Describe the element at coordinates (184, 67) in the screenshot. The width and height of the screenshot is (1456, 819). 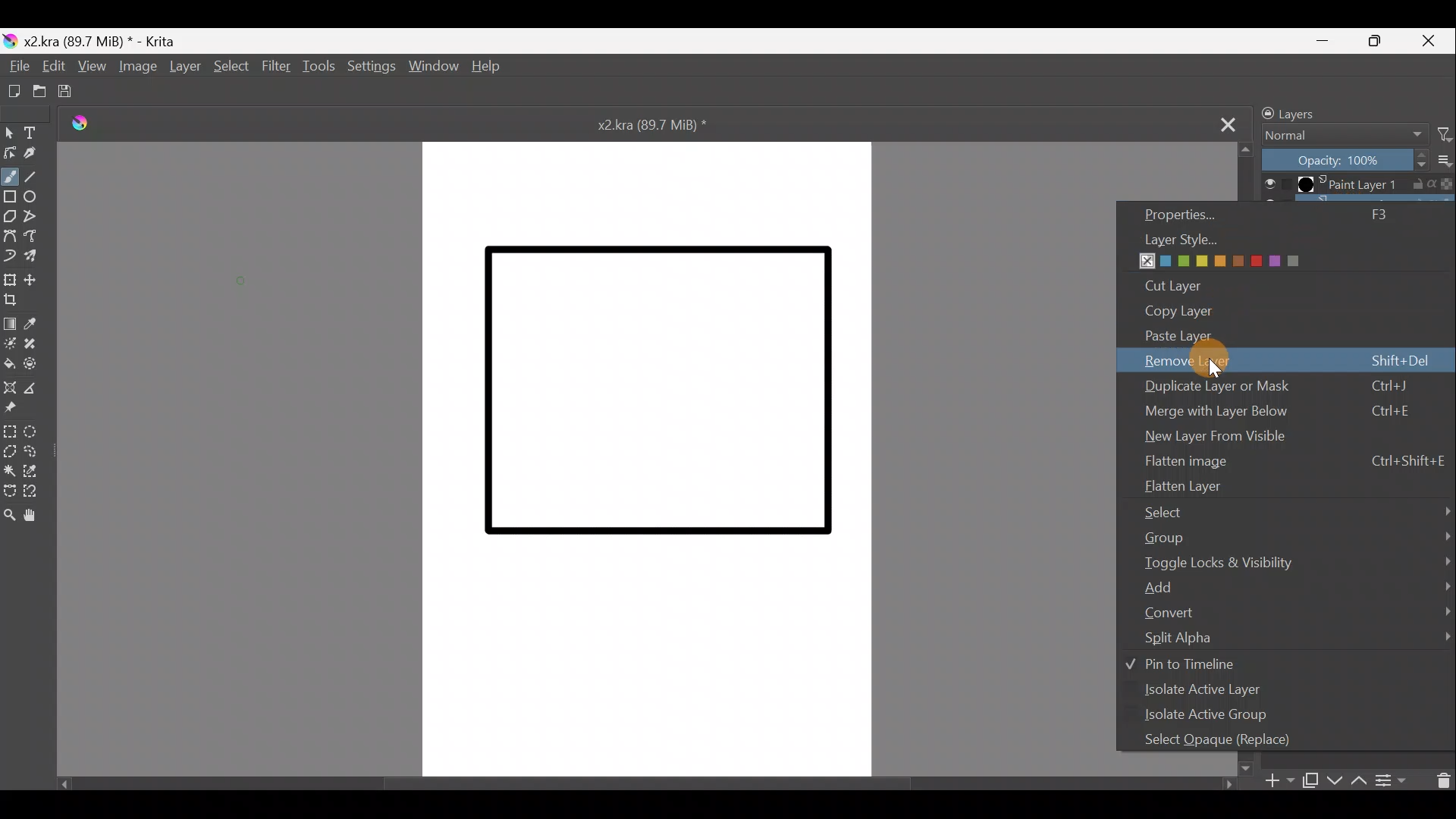
I see `Layer` at that location.